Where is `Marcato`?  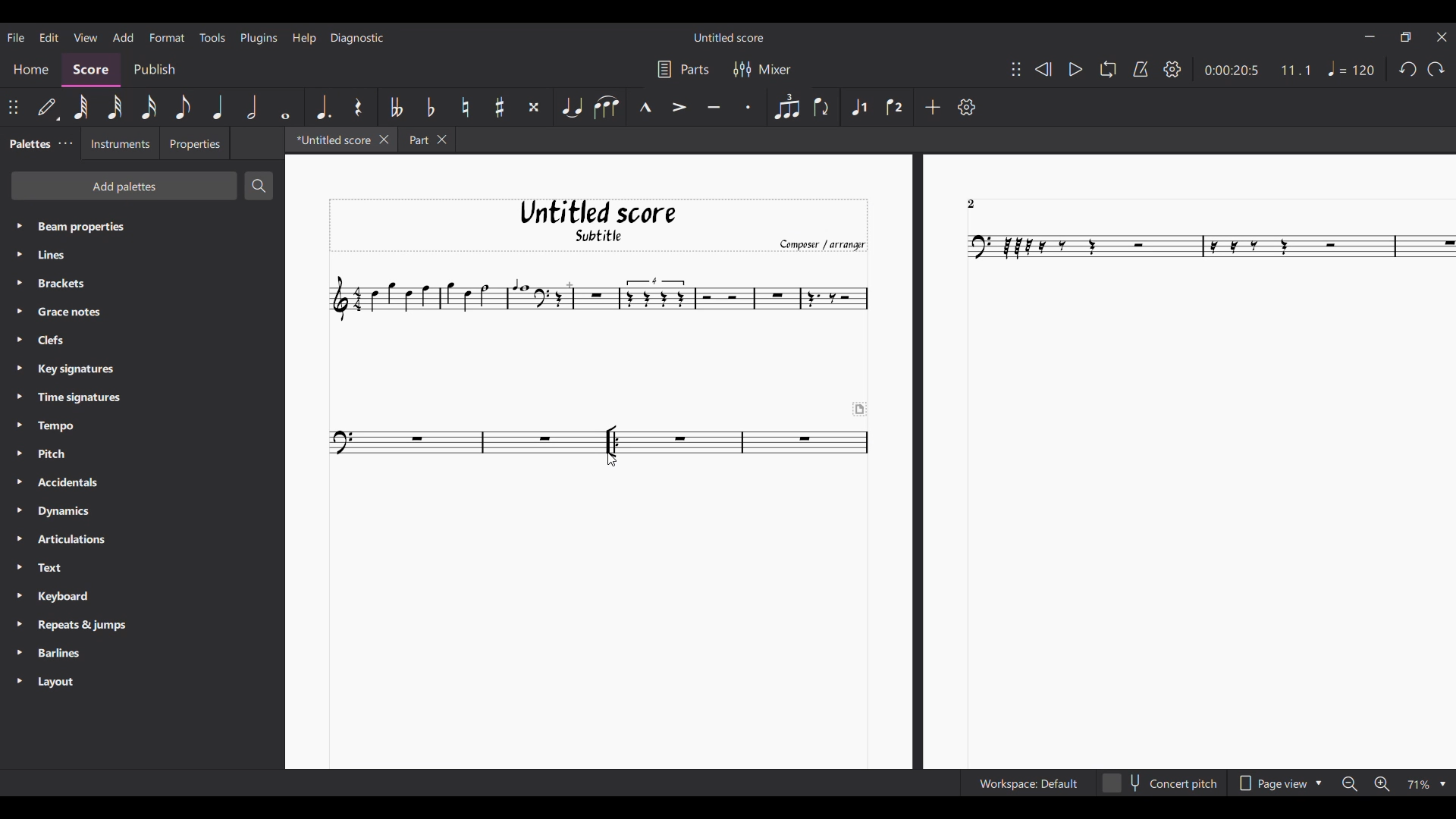 Marcato is located at coordinates (643, 106).